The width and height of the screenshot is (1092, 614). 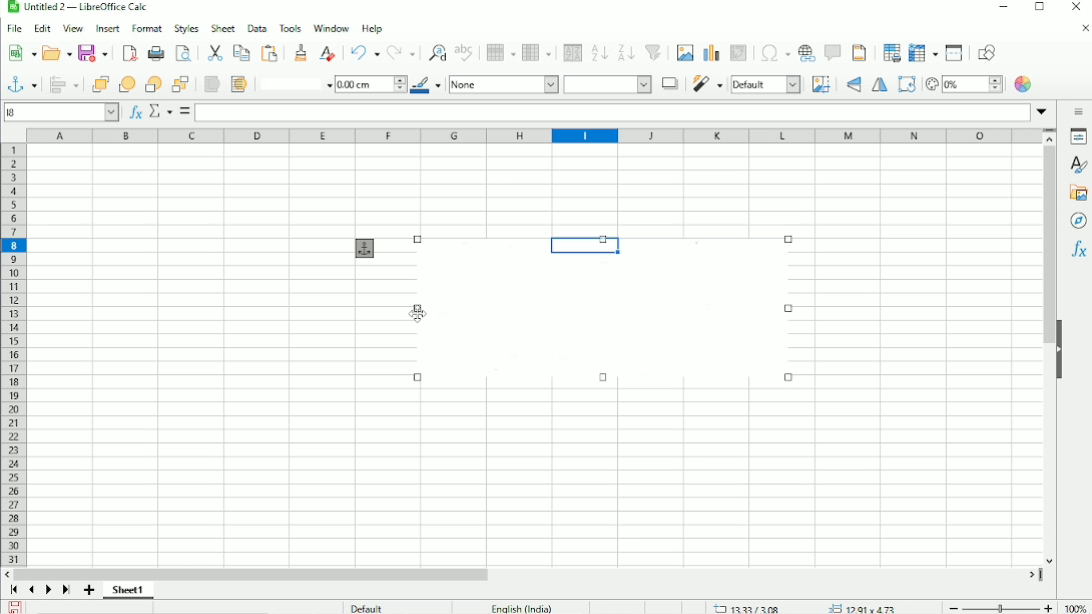 What do you see at coordinates (42, 29) in the screenshot?
I see `Edit` at bounding box center [42, 29].